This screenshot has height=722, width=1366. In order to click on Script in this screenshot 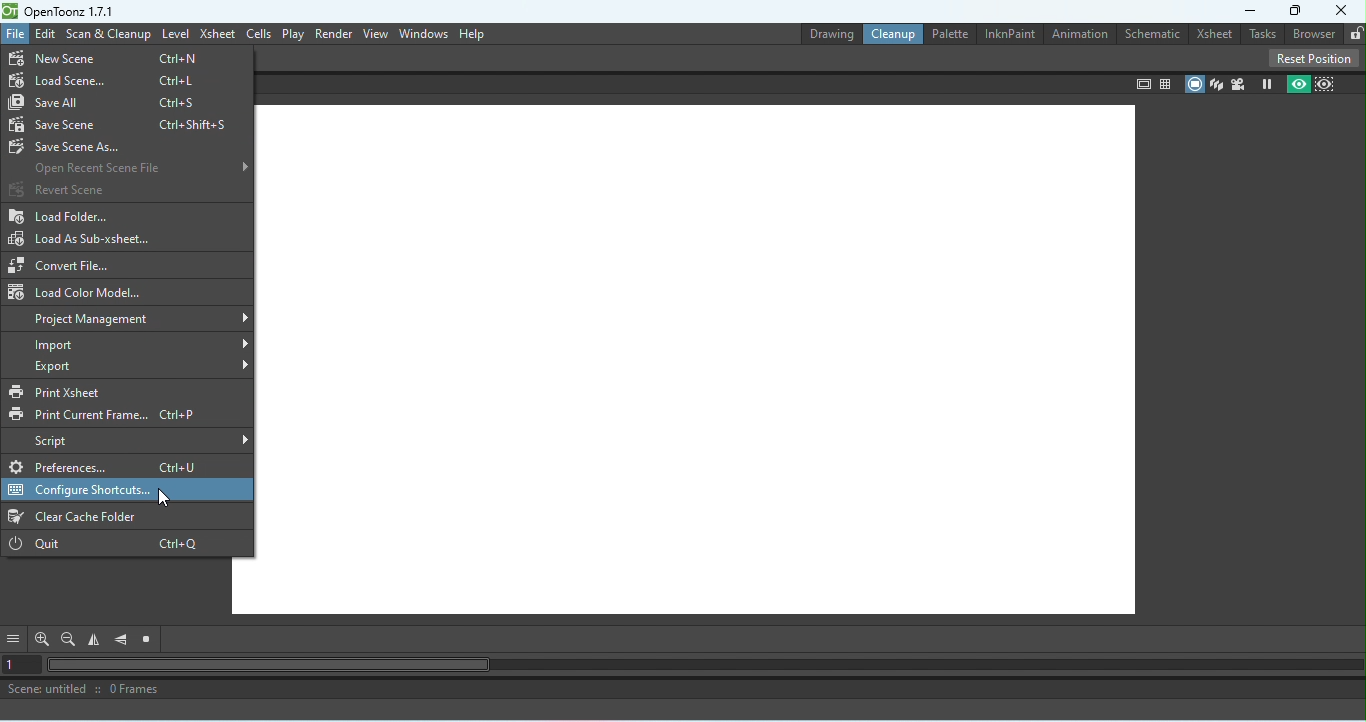, I will do `click(135, 441)`.